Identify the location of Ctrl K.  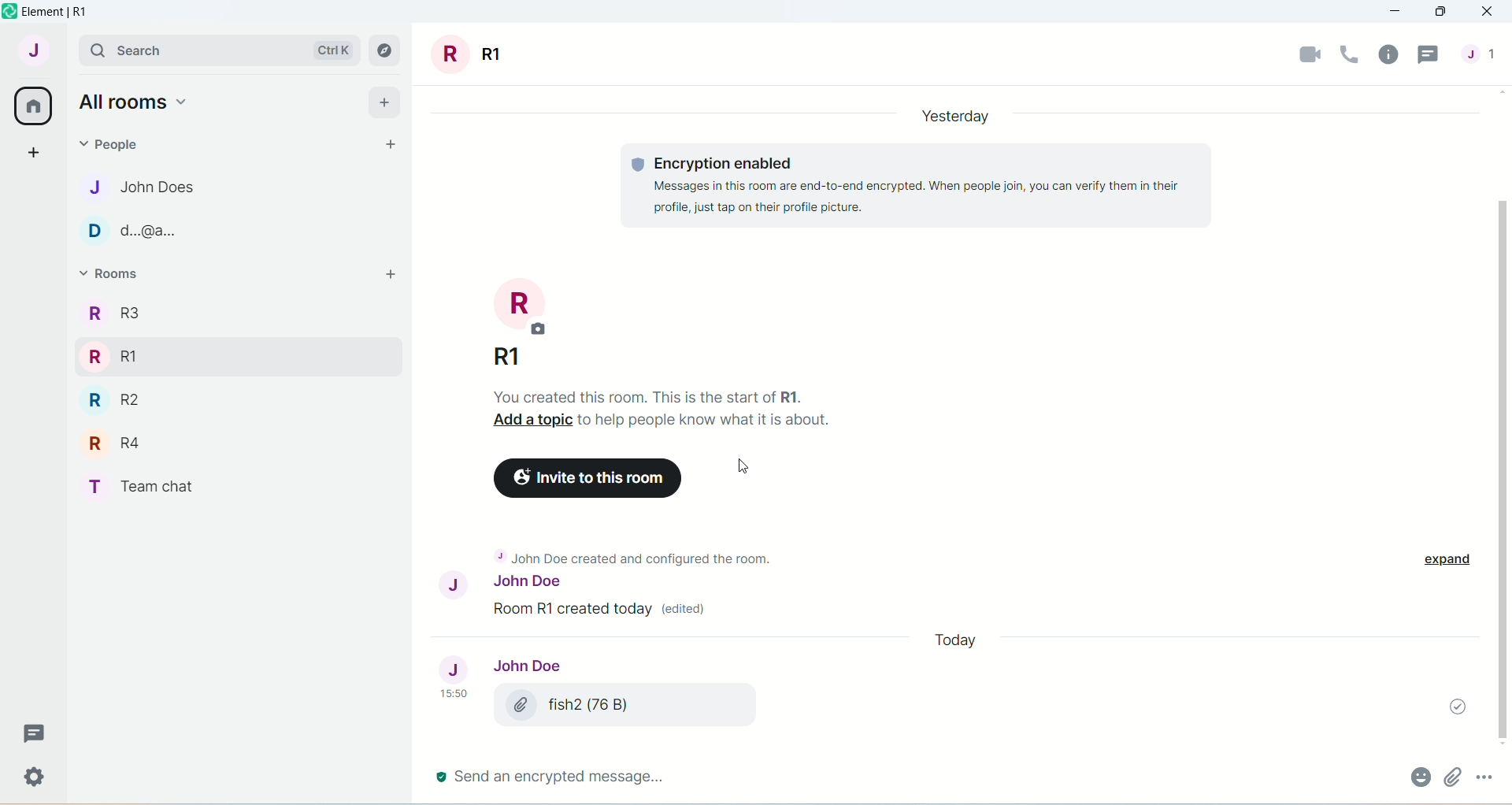
(325, 50).